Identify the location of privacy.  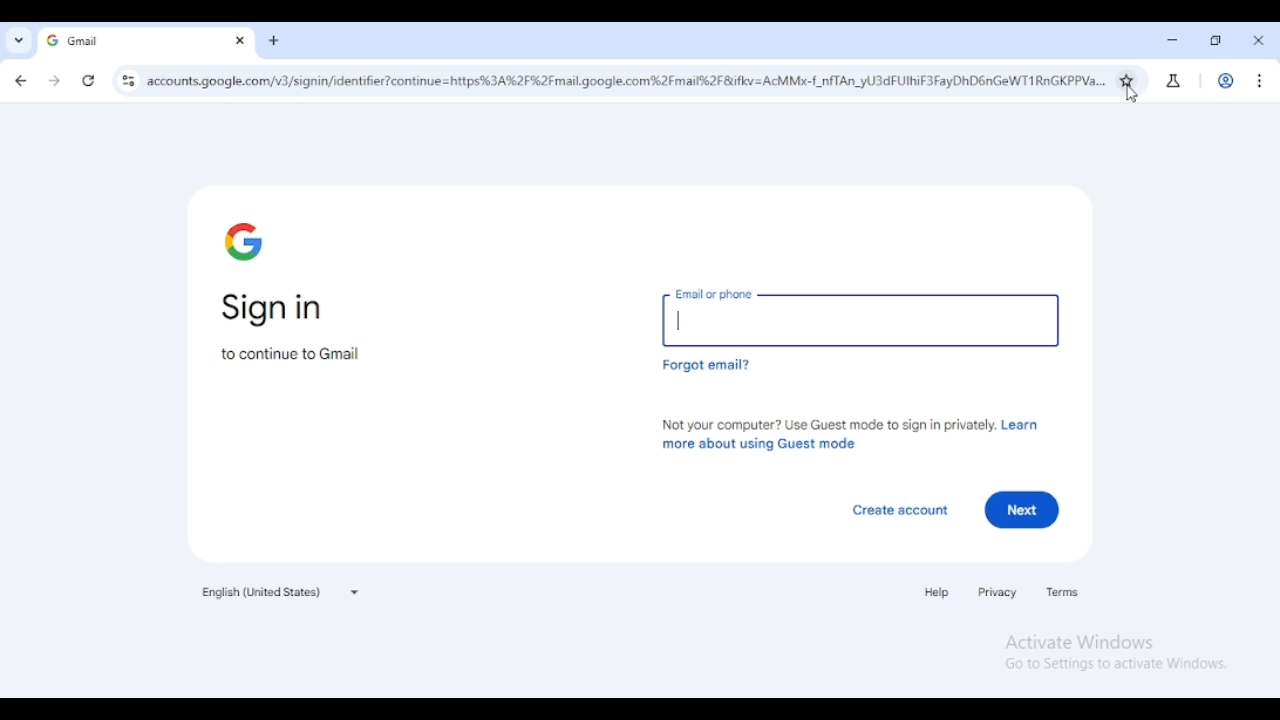
(998, 593).